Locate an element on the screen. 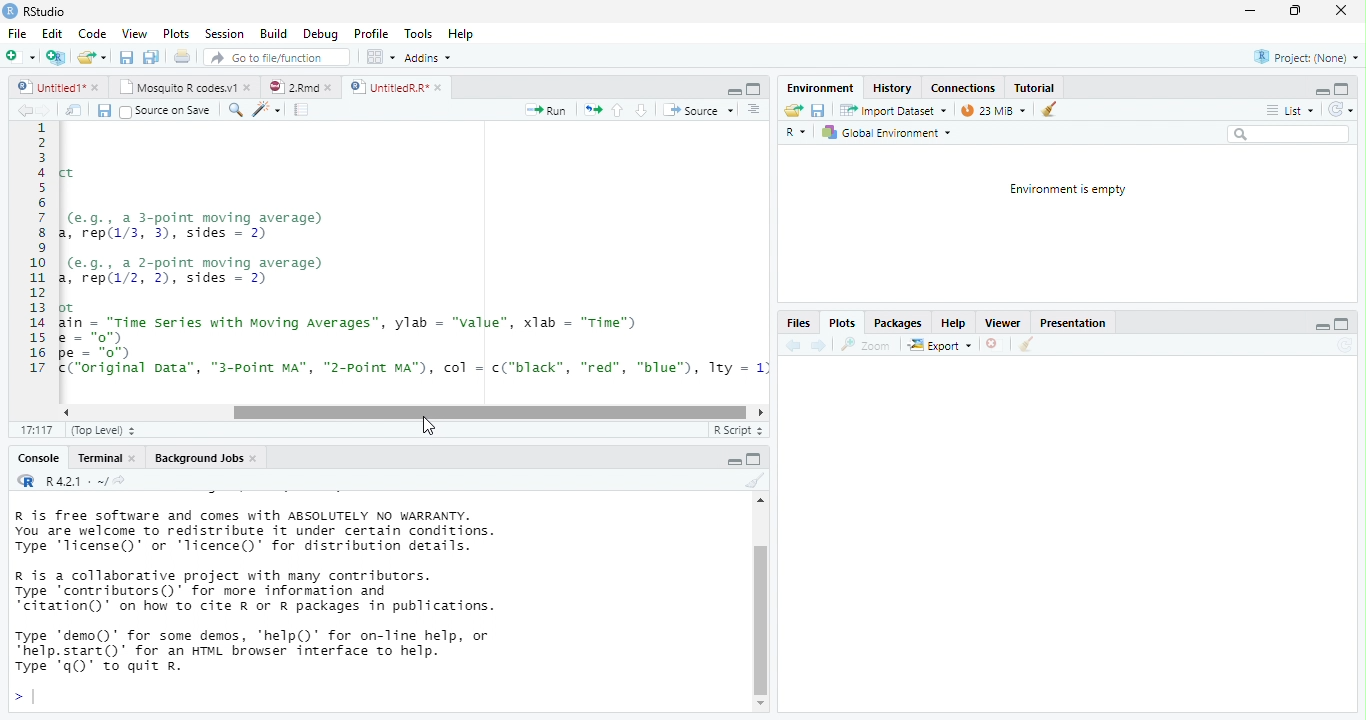 The height and width of the screenshot is (720, 1366). minimize is located at coordinates (734, 92).